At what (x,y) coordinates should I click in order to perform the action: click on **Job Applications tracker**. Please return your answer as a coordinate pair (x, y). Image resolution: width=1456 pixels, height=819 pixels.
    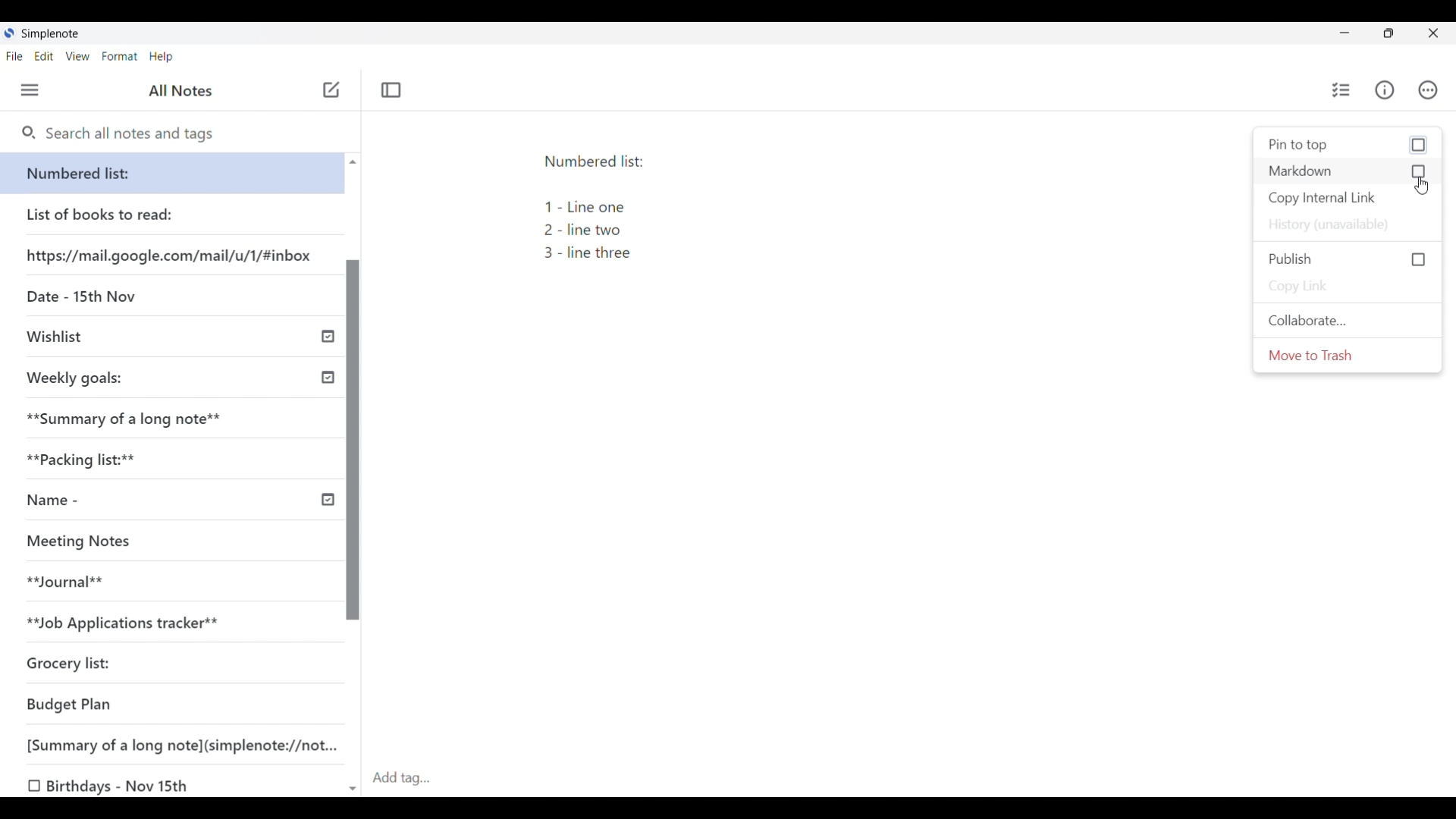
    Looking at the image, I should click on (131, 626).